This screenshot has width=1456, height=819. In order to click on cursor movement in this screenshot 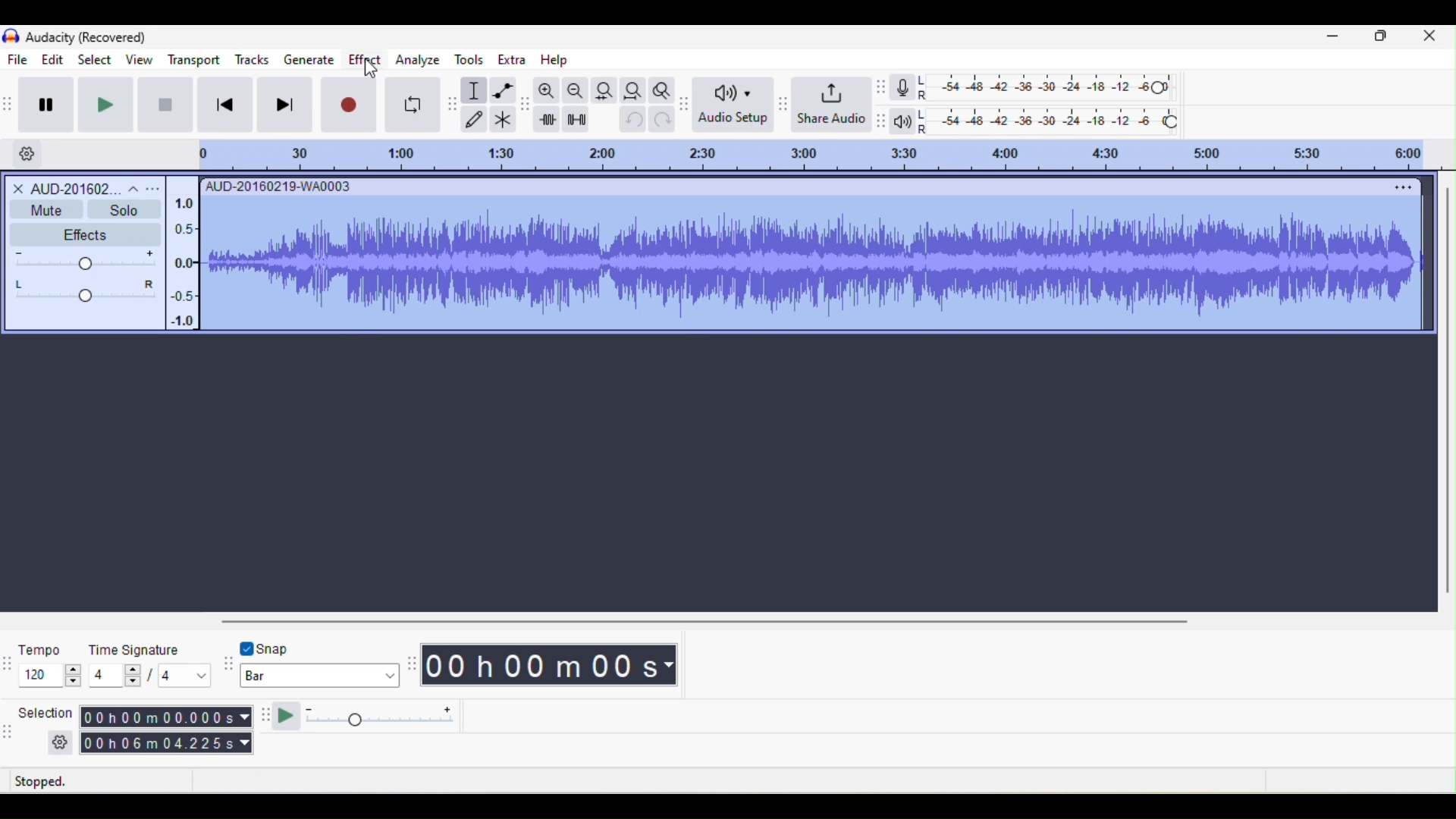, I will do `click(371, 71)`.